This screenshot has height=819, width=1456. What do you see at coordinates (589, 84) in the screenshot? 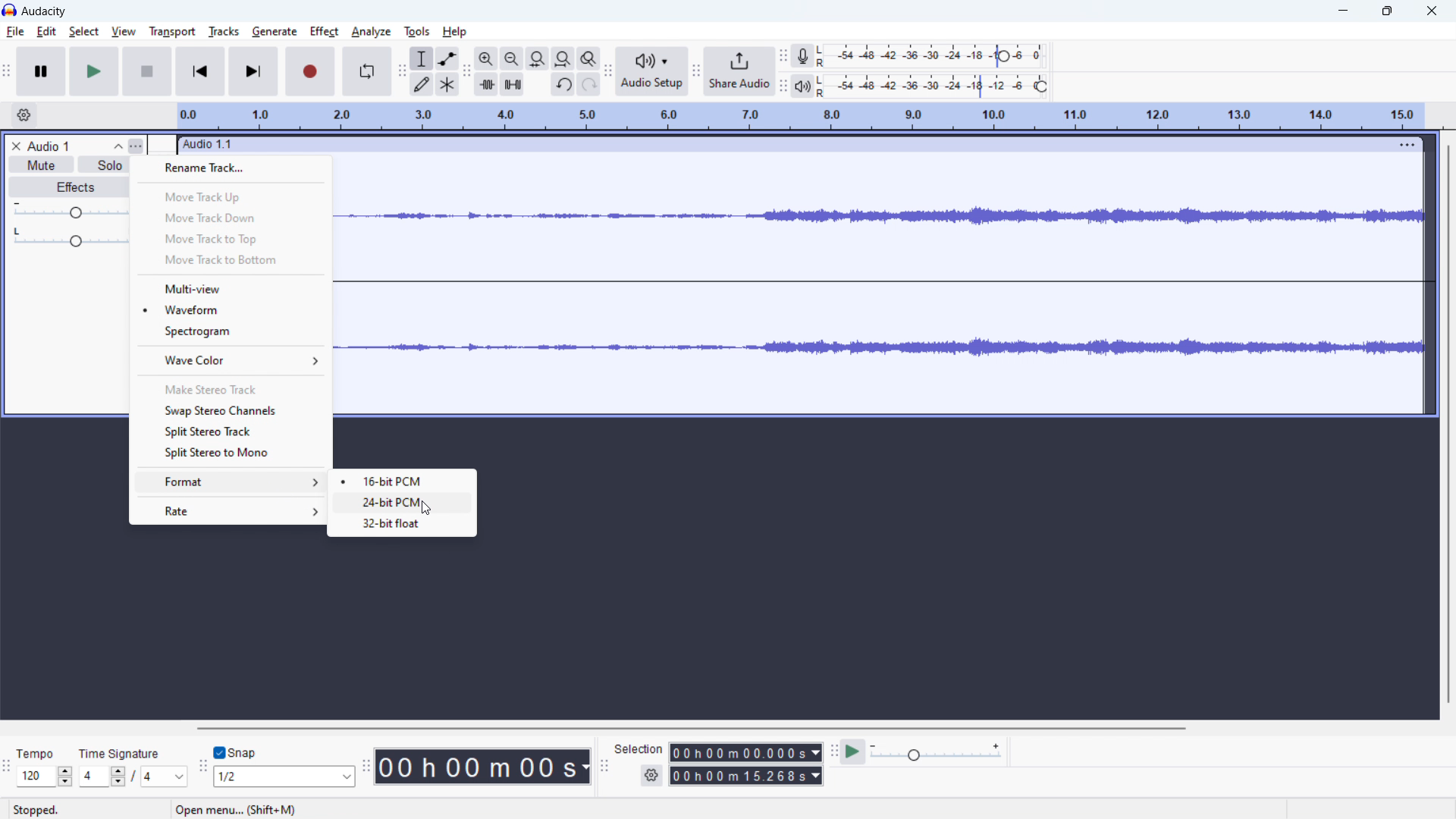
I see `redo` at bounding box center [589, 84].